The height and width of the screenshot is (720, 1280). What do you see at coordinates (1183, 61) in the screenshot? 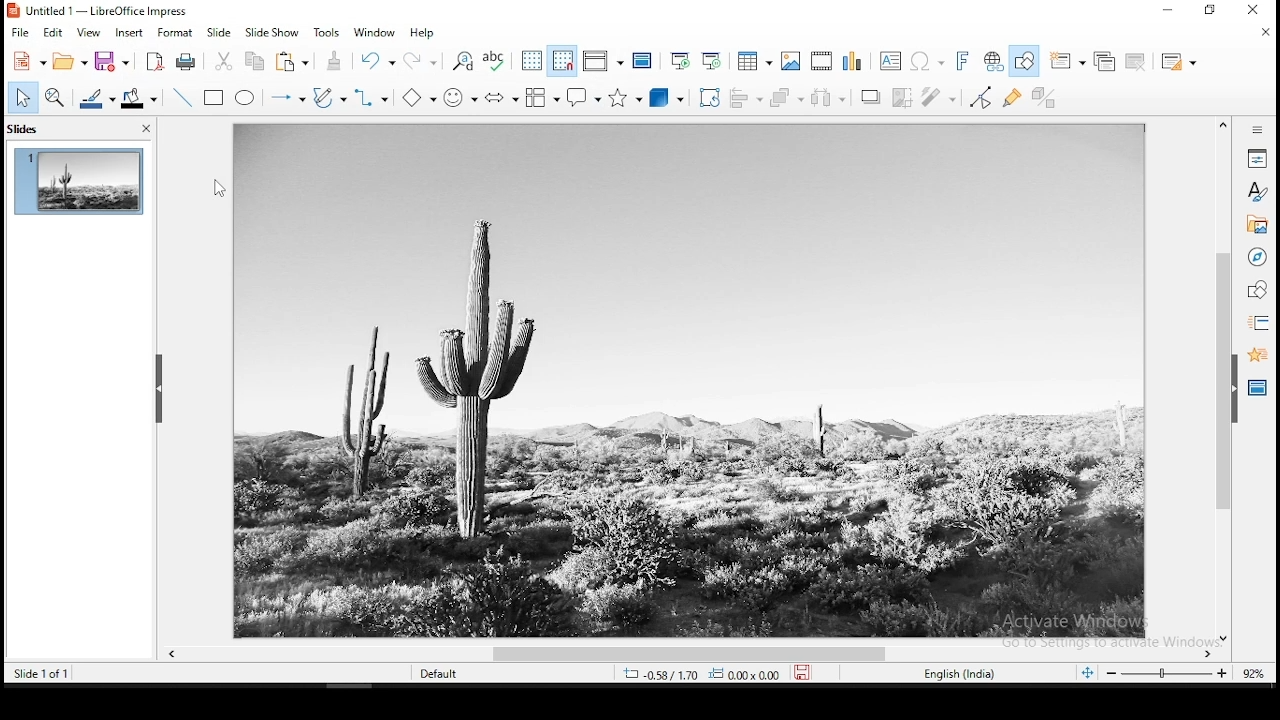
I see `slide layout` at bounding box center [1183, 61].